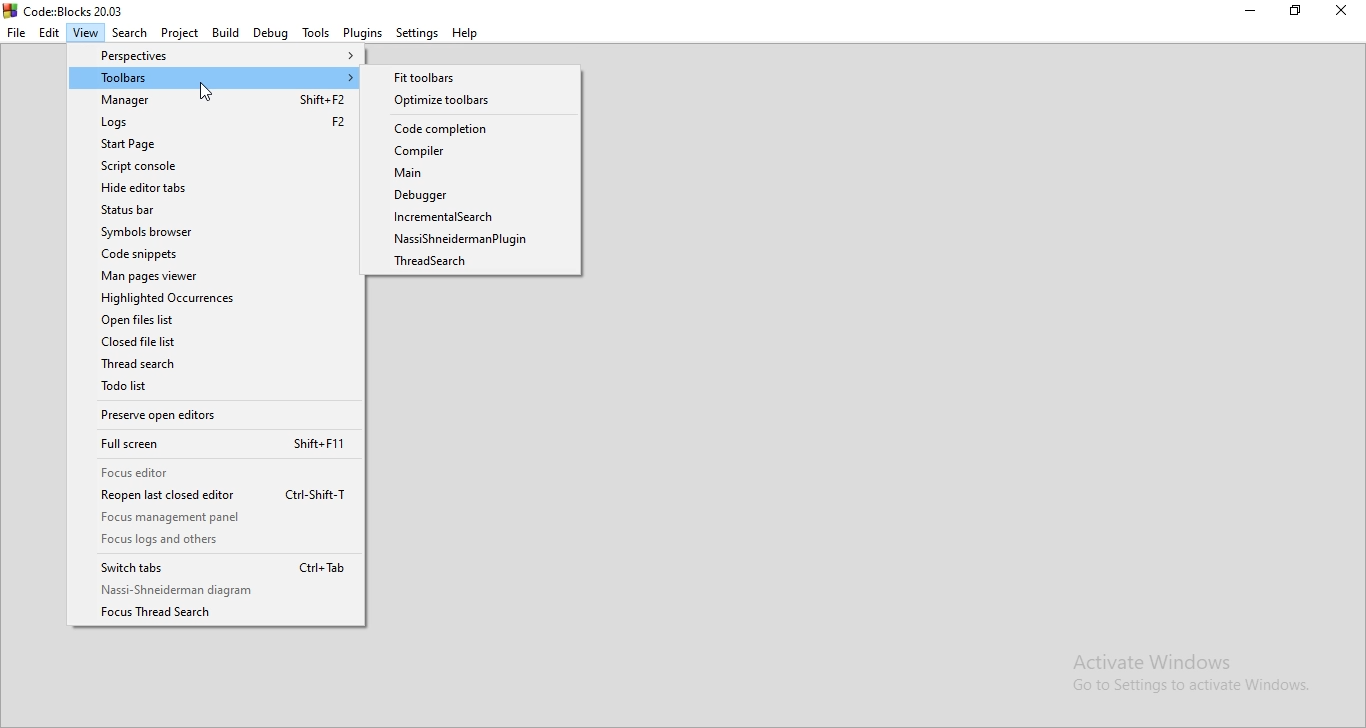 The image size is (1366, 728). What do you see at coordinates (476, 241) in the screenshot?
I see `Nasaisho demaPlugin ` at bounding box center [476, 241].